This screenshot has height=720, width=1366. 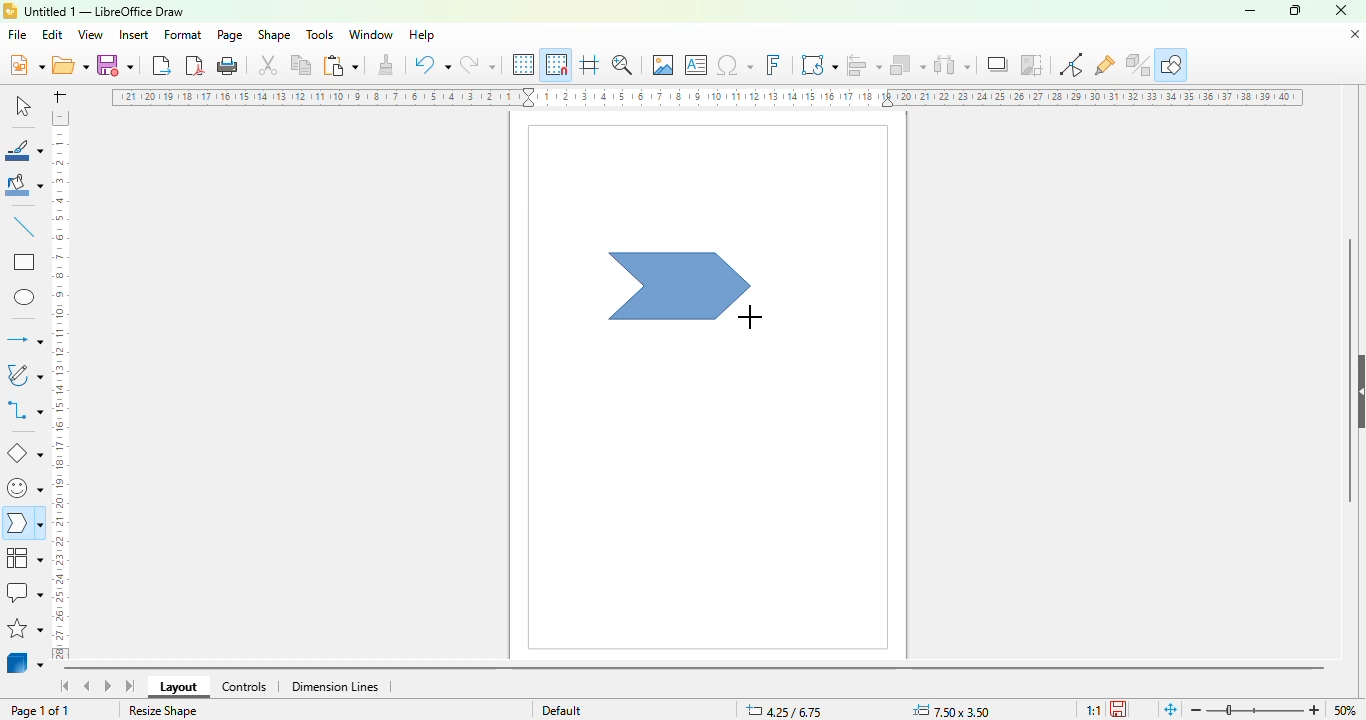 I want to click on layout, so click(x=178, y=687).